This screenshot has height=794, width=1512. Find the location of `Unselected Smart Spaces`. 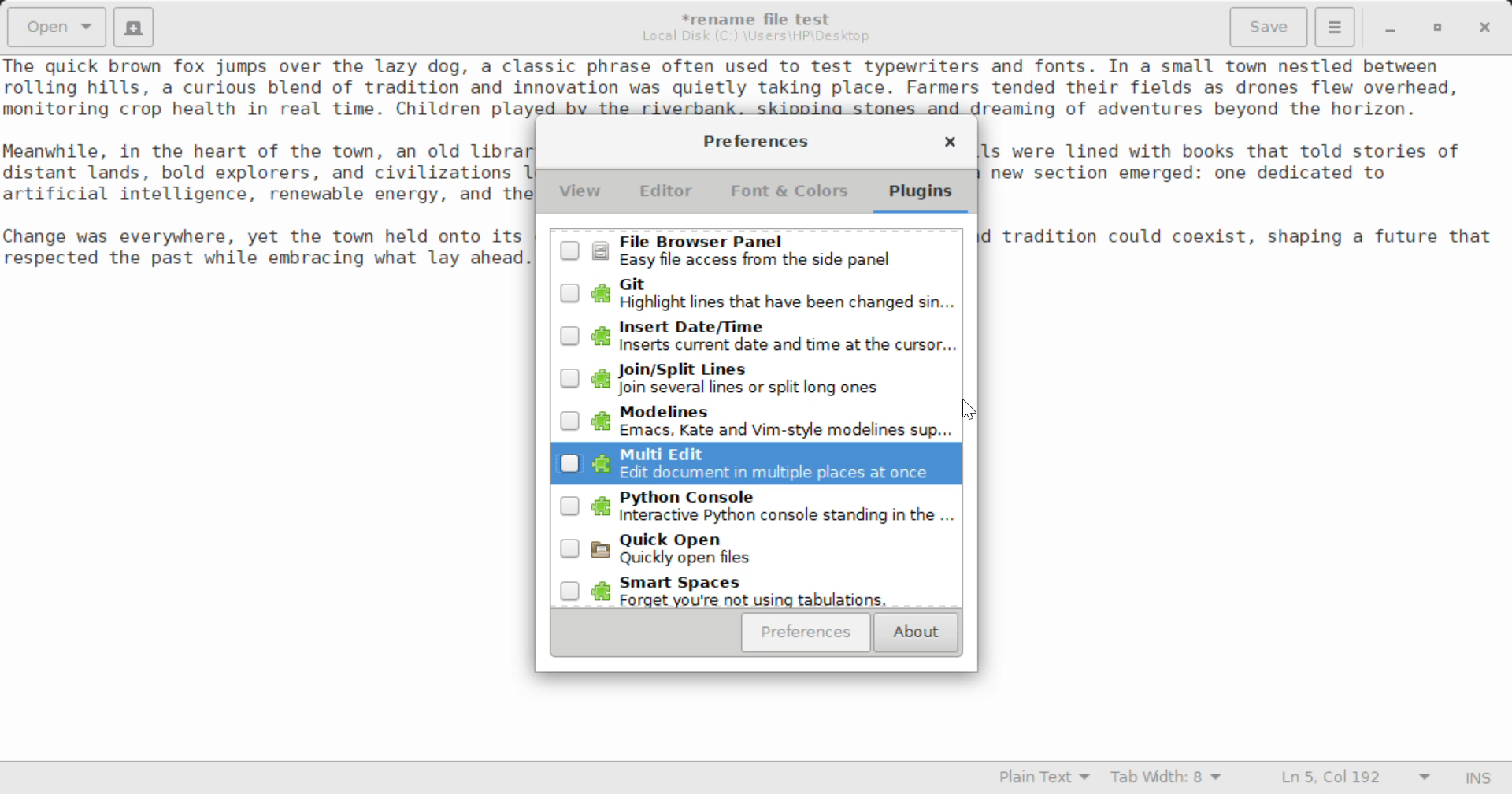

Unselected Smart Spaces is located at coordinates (754, 592).